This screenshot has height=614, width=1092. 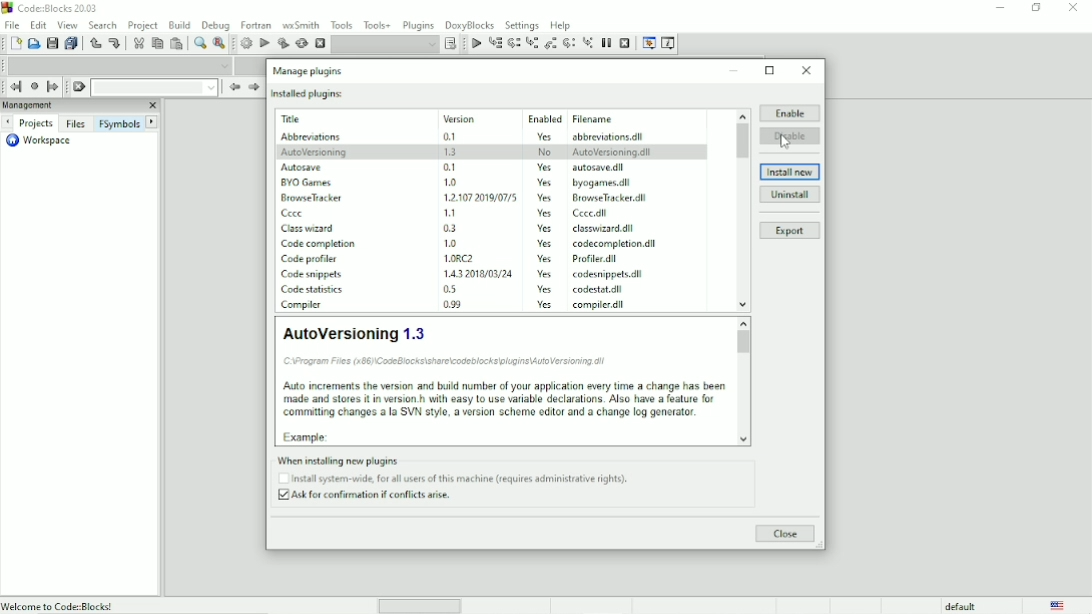 I want to click on 0.5, so click(x=448, y=289).